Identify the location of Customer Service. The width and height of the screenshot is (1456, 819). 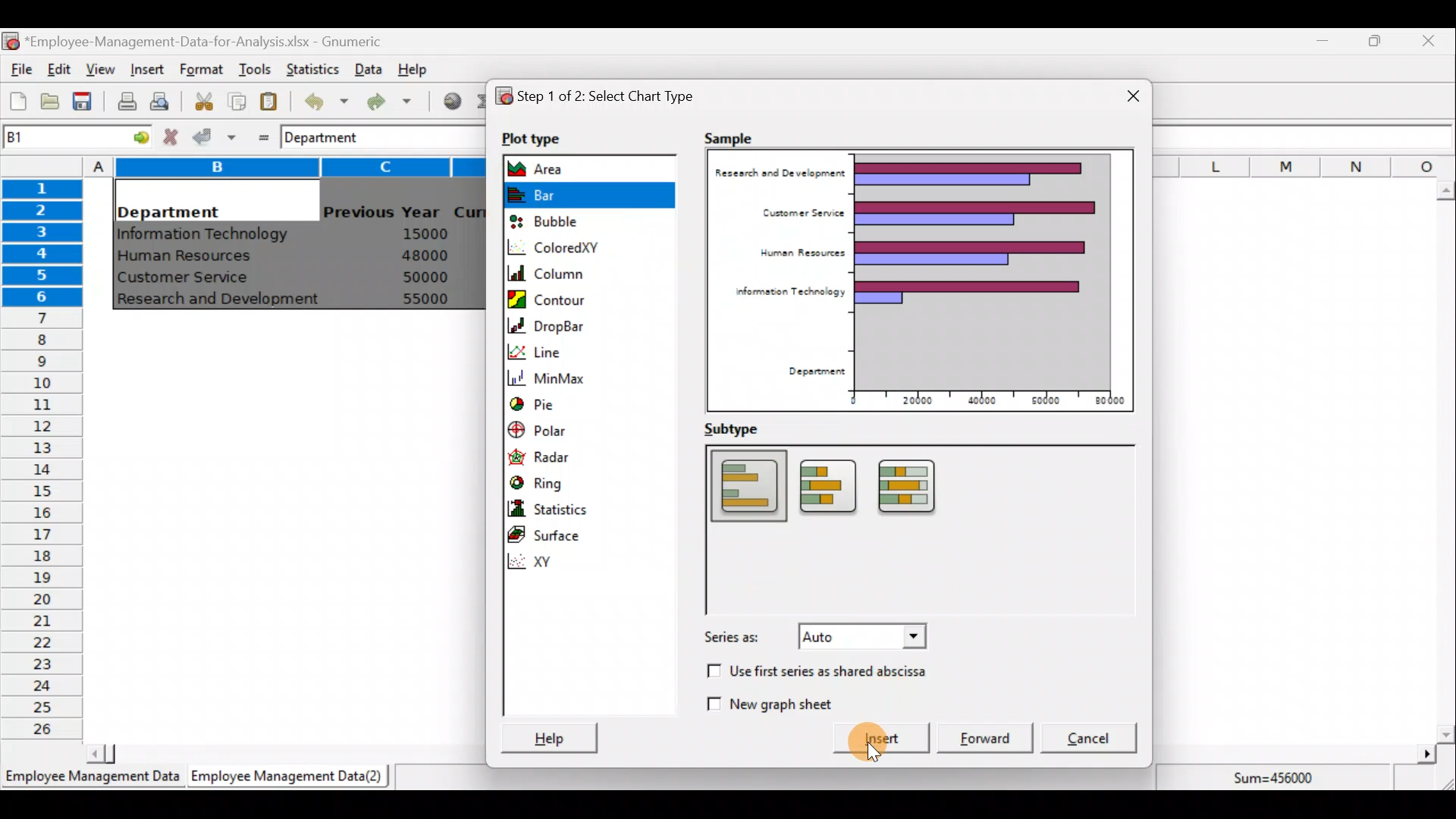
(187, 281).